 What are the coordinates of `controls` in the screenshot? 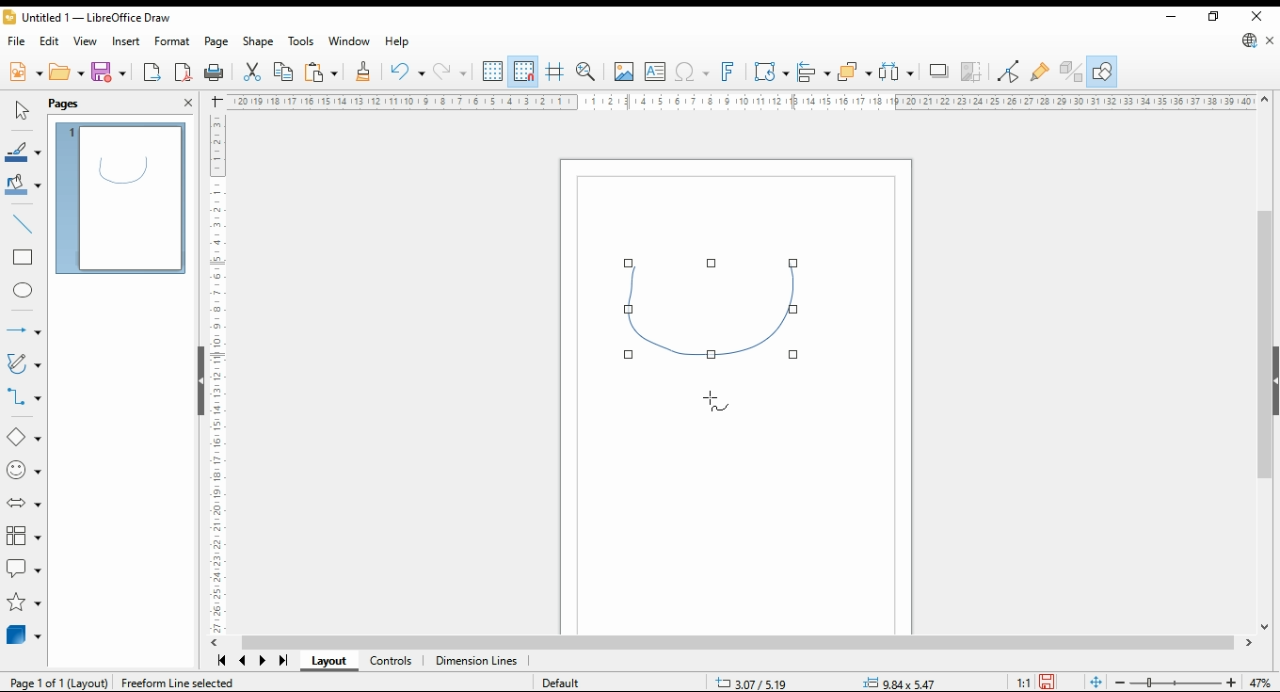 It's located at (394, 661).